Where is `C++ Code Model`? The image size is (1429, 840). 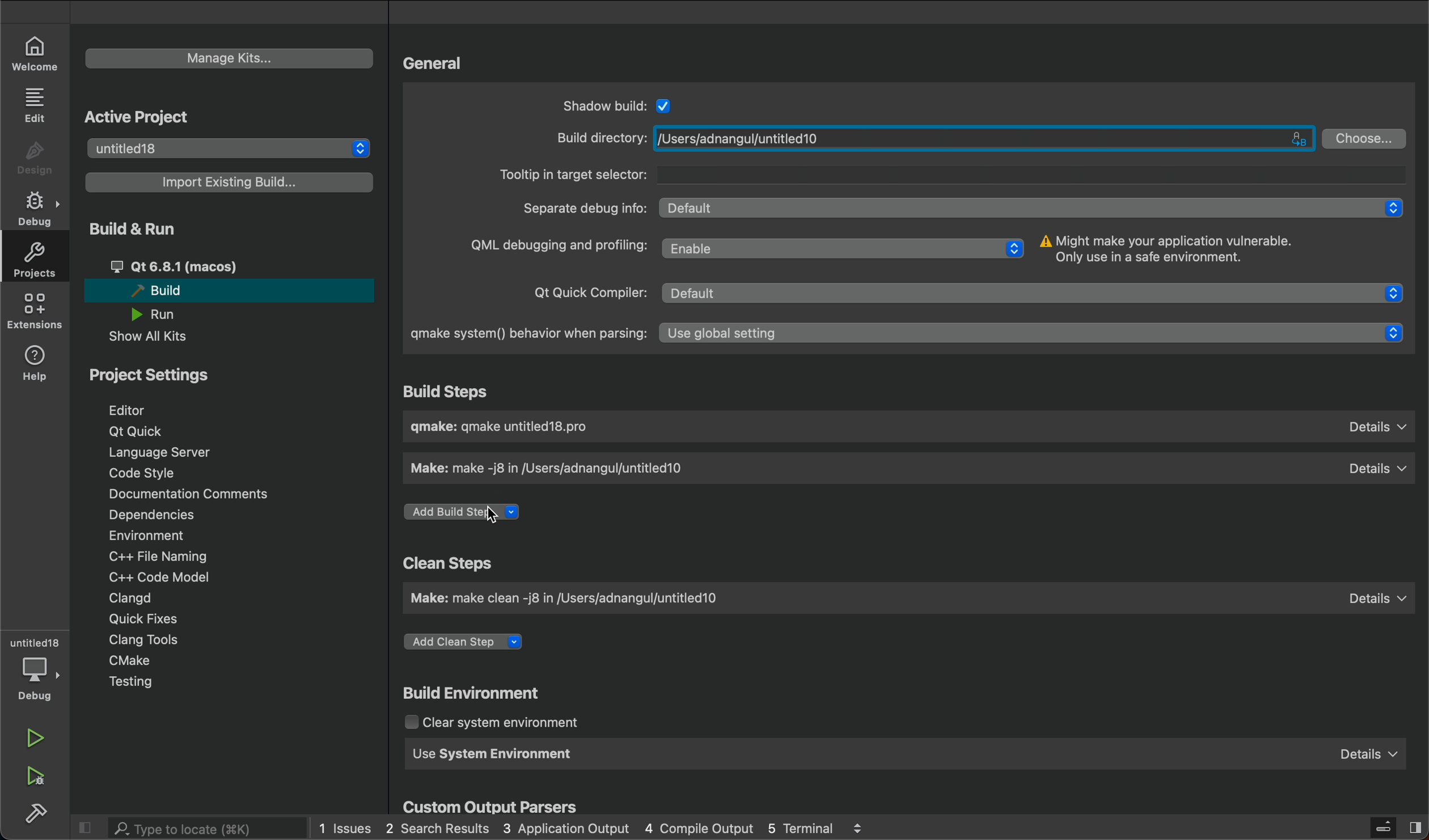
C++ Code Model is located at coordinates (159, 575).